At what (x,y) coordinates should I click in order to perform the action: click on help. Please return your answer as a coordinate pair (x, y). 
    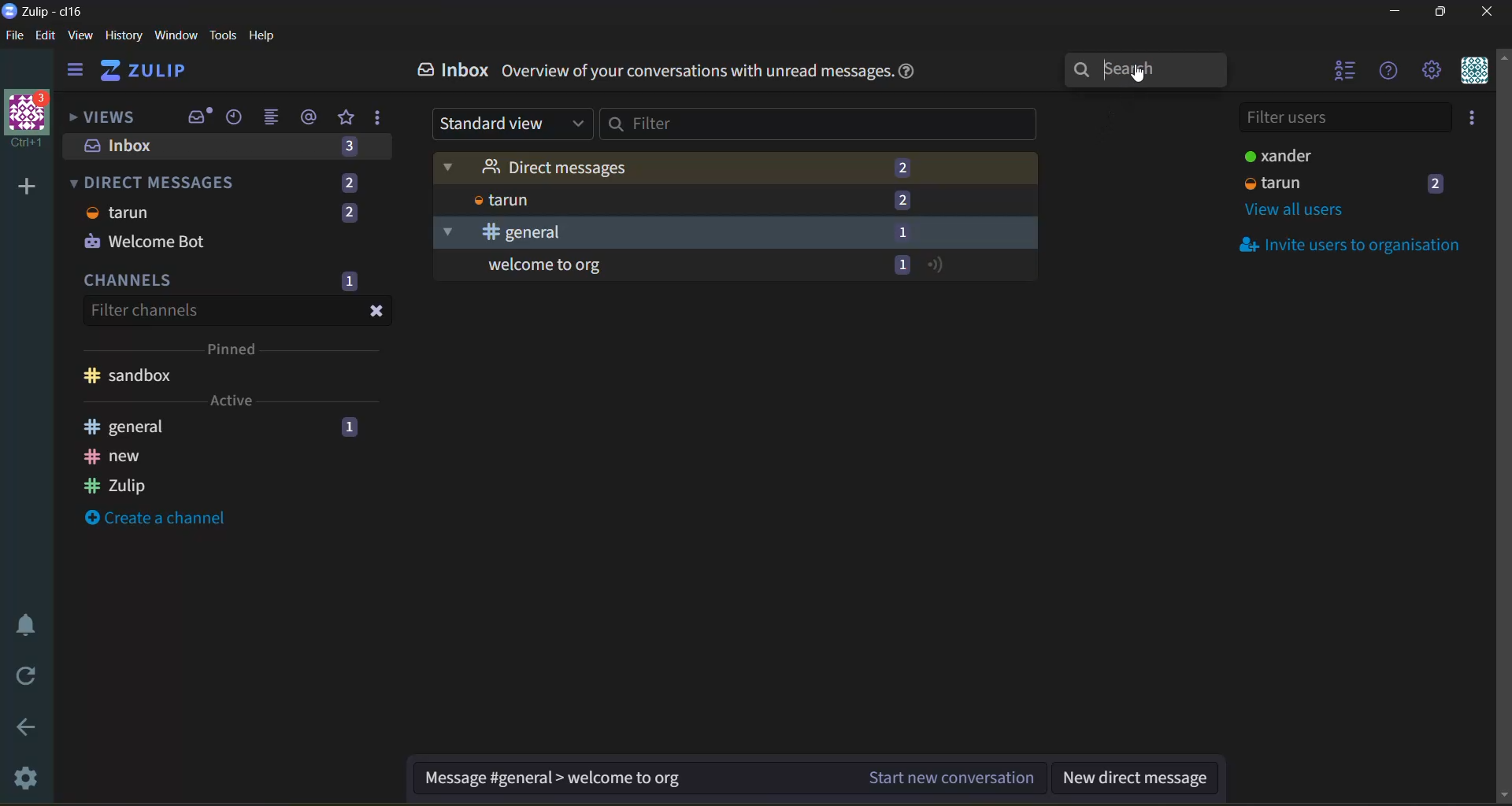
    Looking at the image, I should click on (1389, 72).